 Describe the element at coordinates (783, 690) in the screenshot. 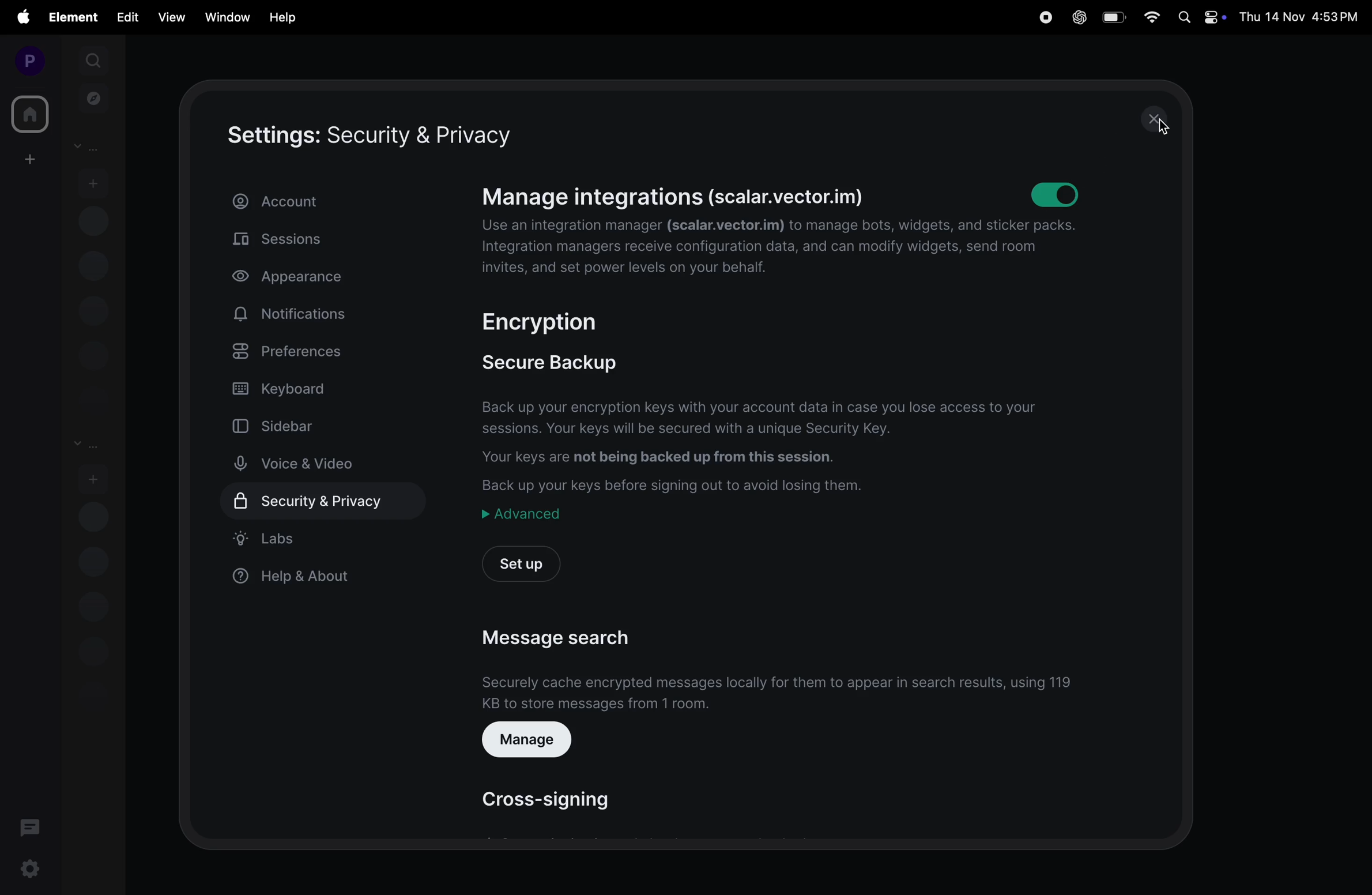

I see `securely cache encrypted messages fro them to appear in search results, using 119 kb to store messages from 1 room.` at that location.